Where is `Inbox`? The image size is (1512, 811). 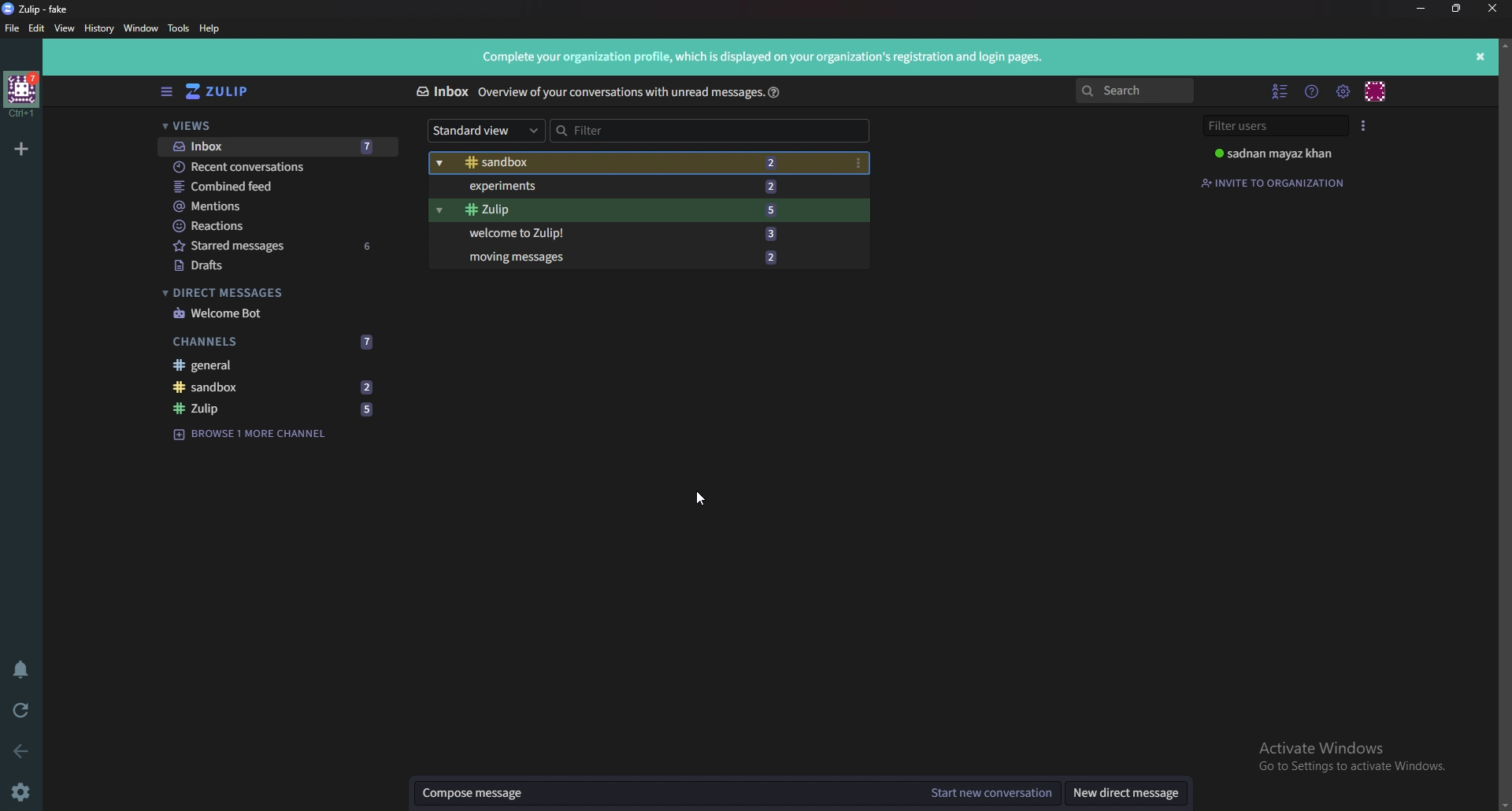 Inbox is located at coordinates (442, 91).